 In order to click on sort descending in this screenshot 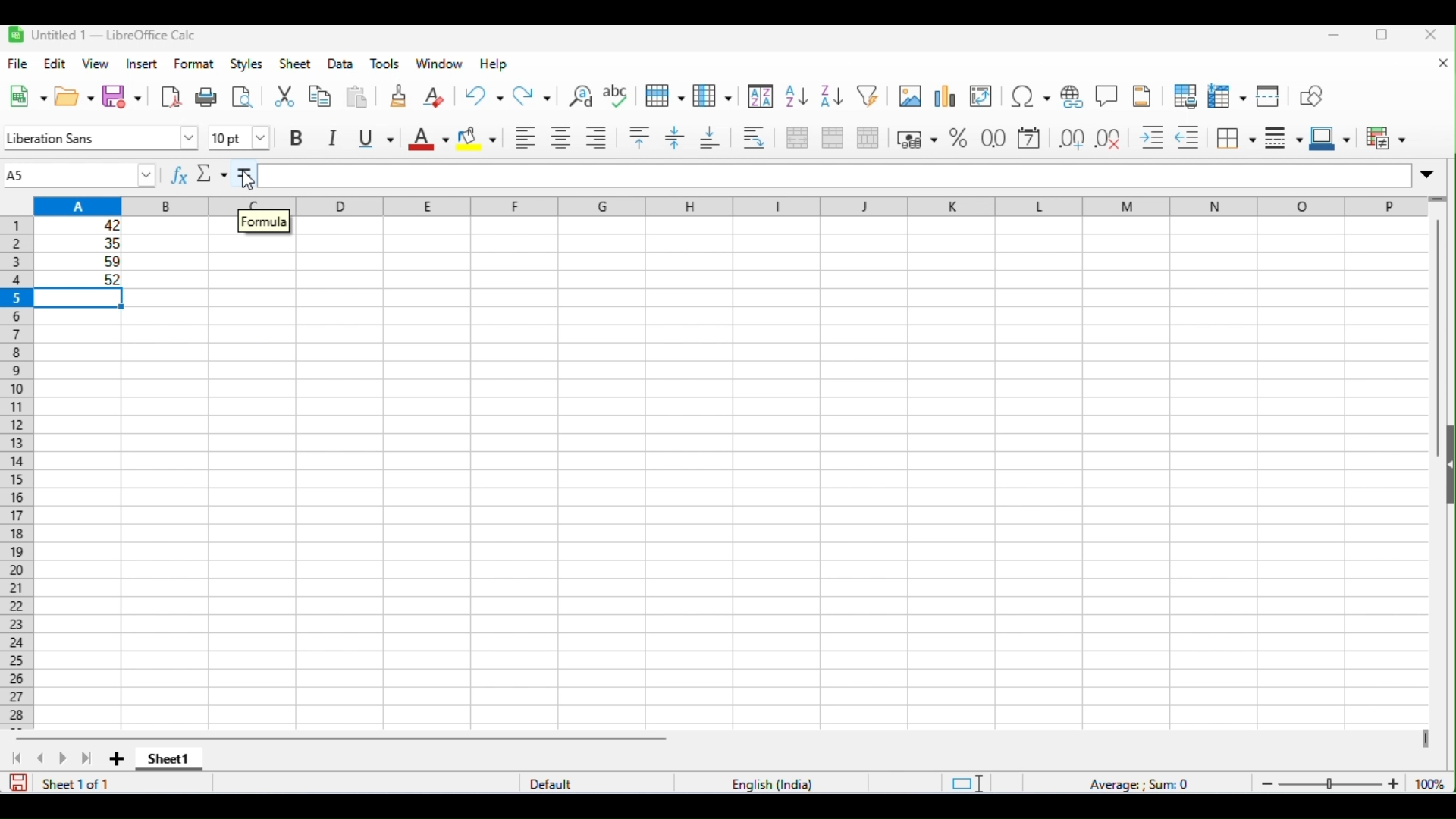, I will do `click(830, 96)`.